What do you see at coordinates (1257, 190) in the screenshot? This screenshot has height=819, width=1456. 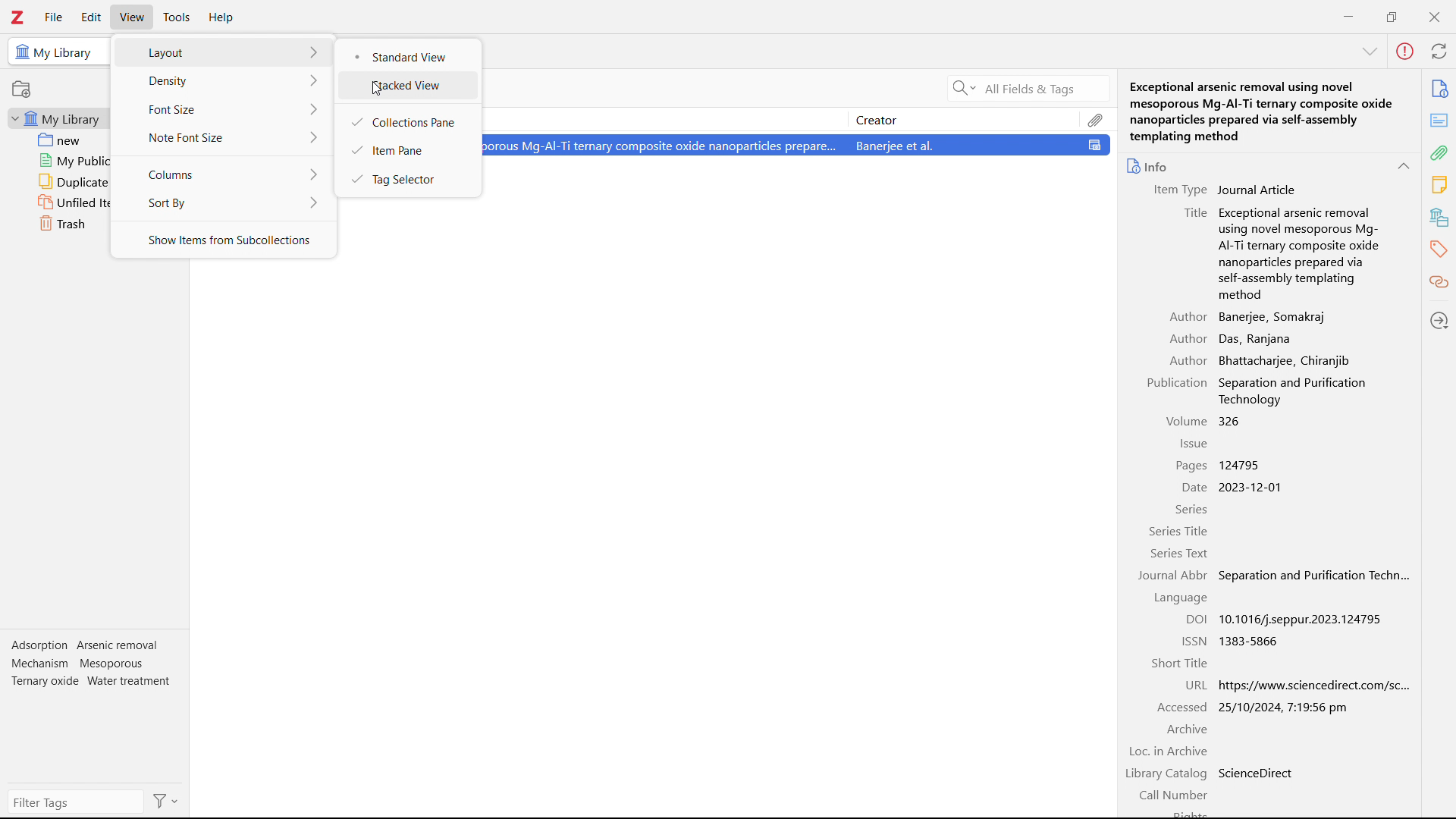 I see `Journal Article` at bounding box center [1257, 190].